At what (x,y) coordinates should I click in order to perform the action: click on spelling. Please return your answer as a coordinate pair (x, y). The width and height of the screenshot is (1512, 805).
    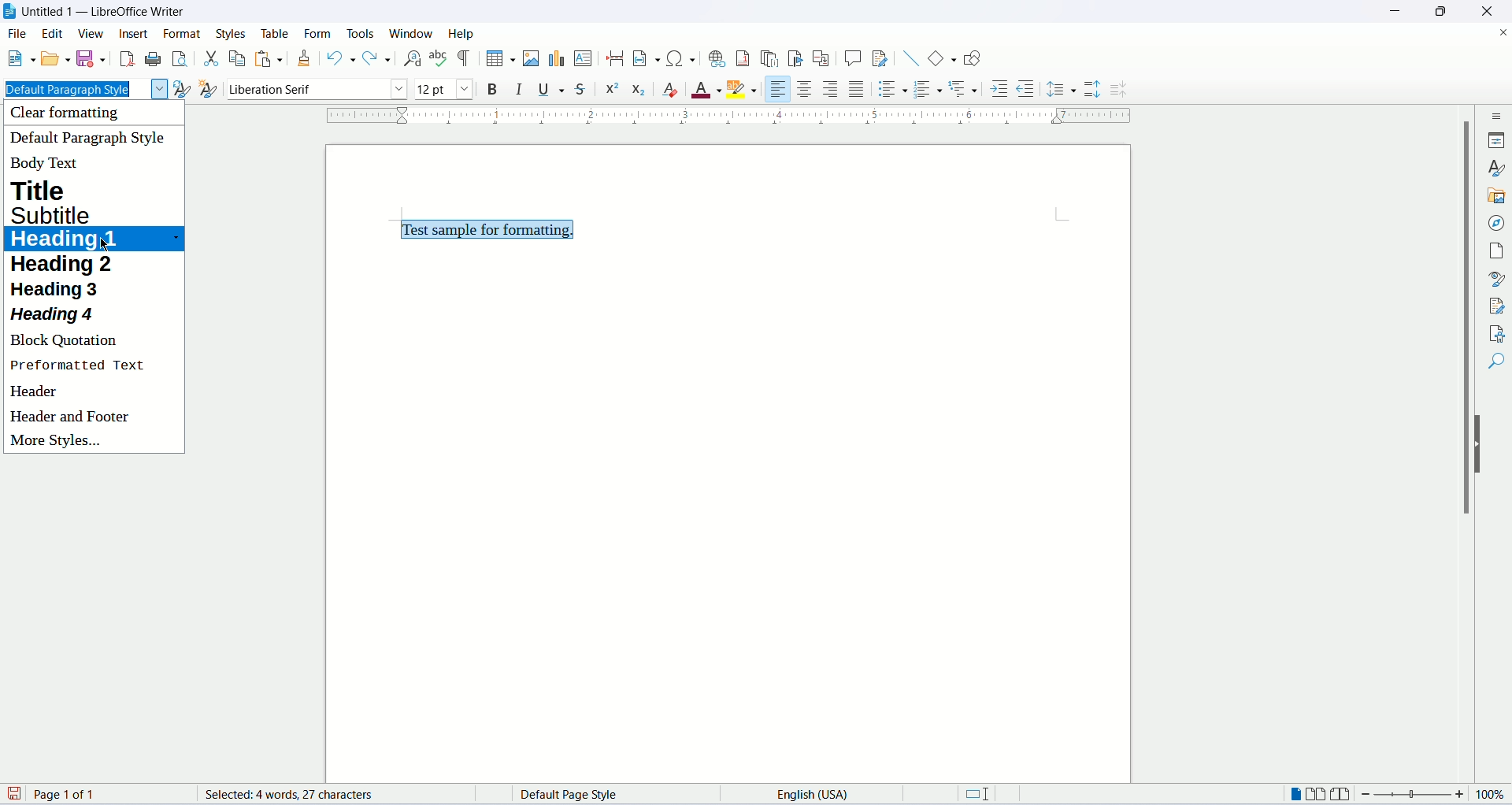
    Looking at the image, I should click on (439, 59).